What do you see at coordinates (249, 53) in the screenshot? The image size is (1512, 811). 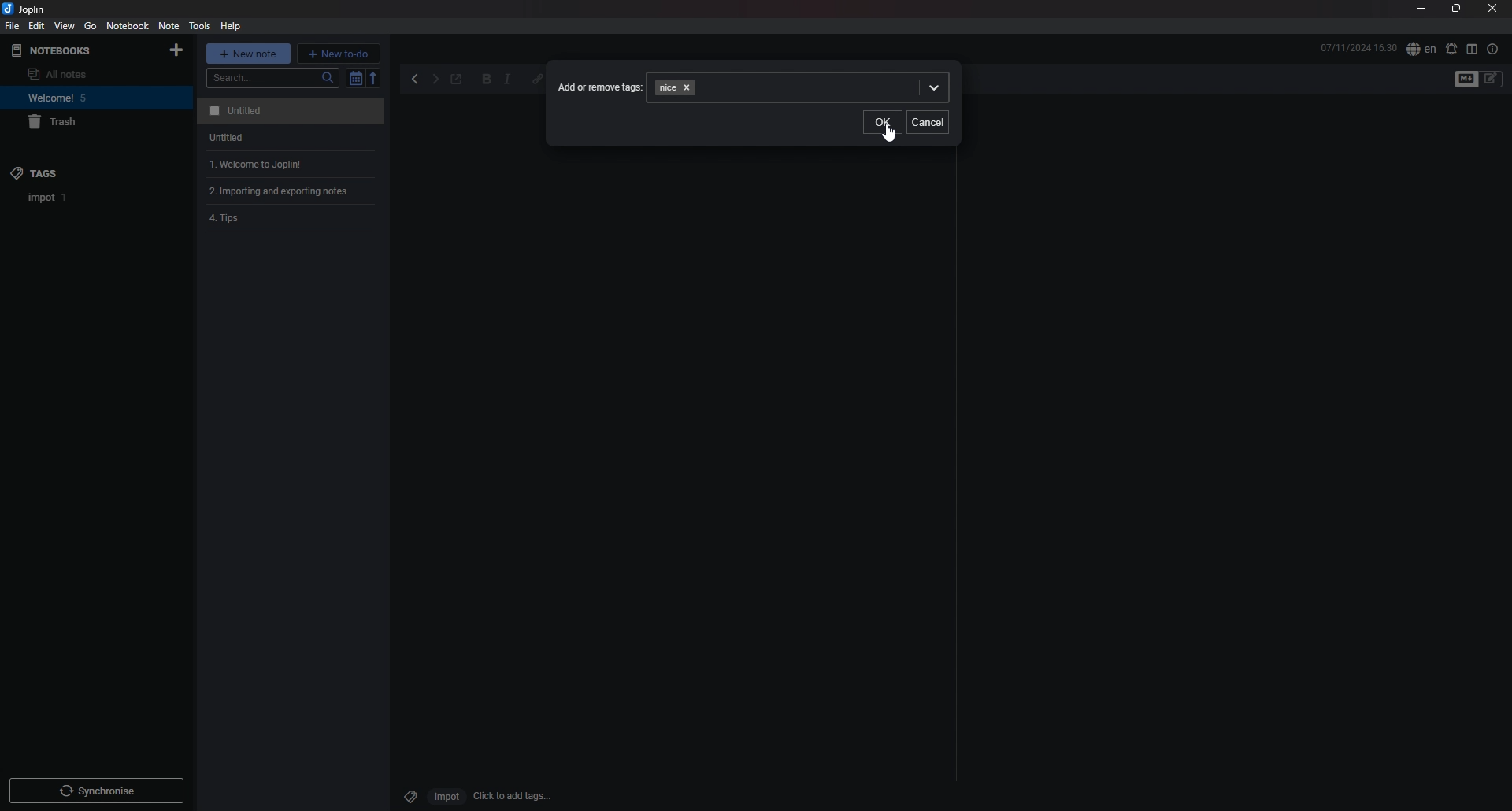 I see `new note` at bounding box center [249, 53].